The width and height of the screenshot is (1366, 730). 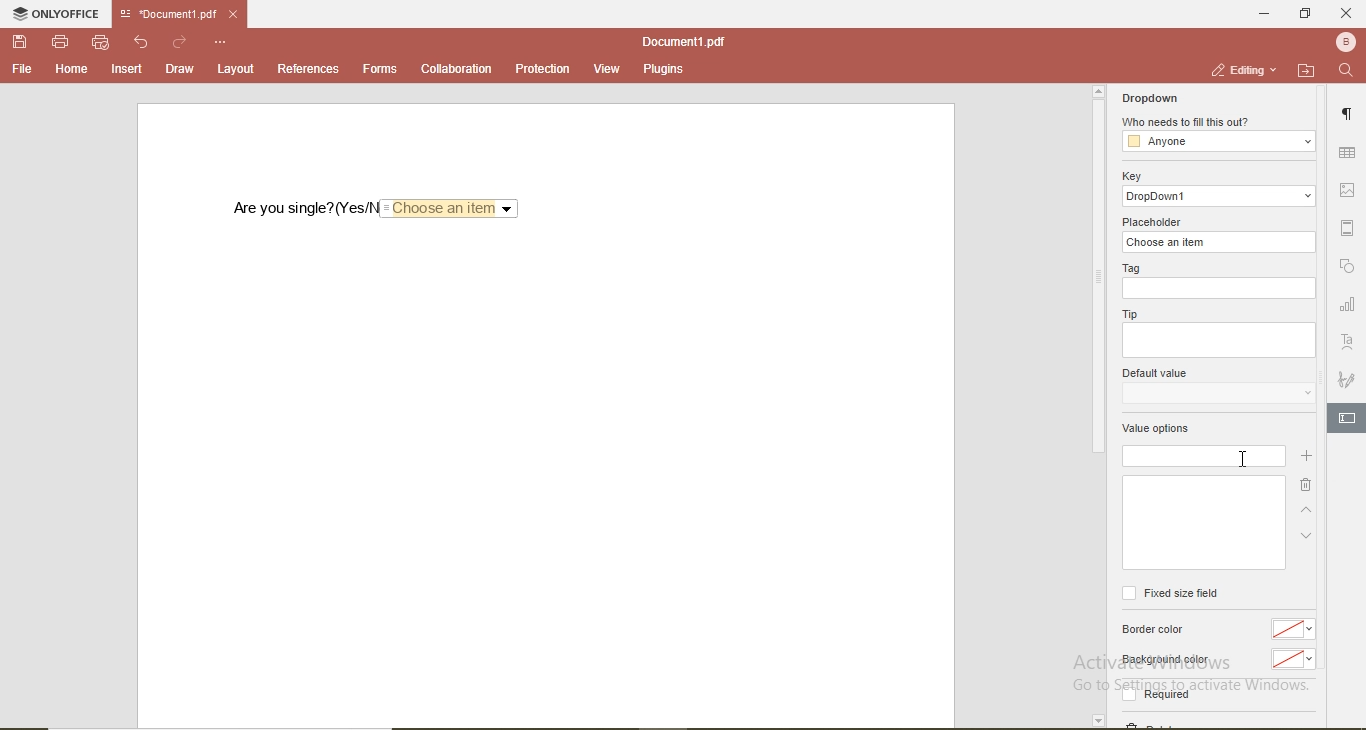 What do you see at coordinates (20, 42) in the screenshot?
I see `save` at bounding box center [20, 42].